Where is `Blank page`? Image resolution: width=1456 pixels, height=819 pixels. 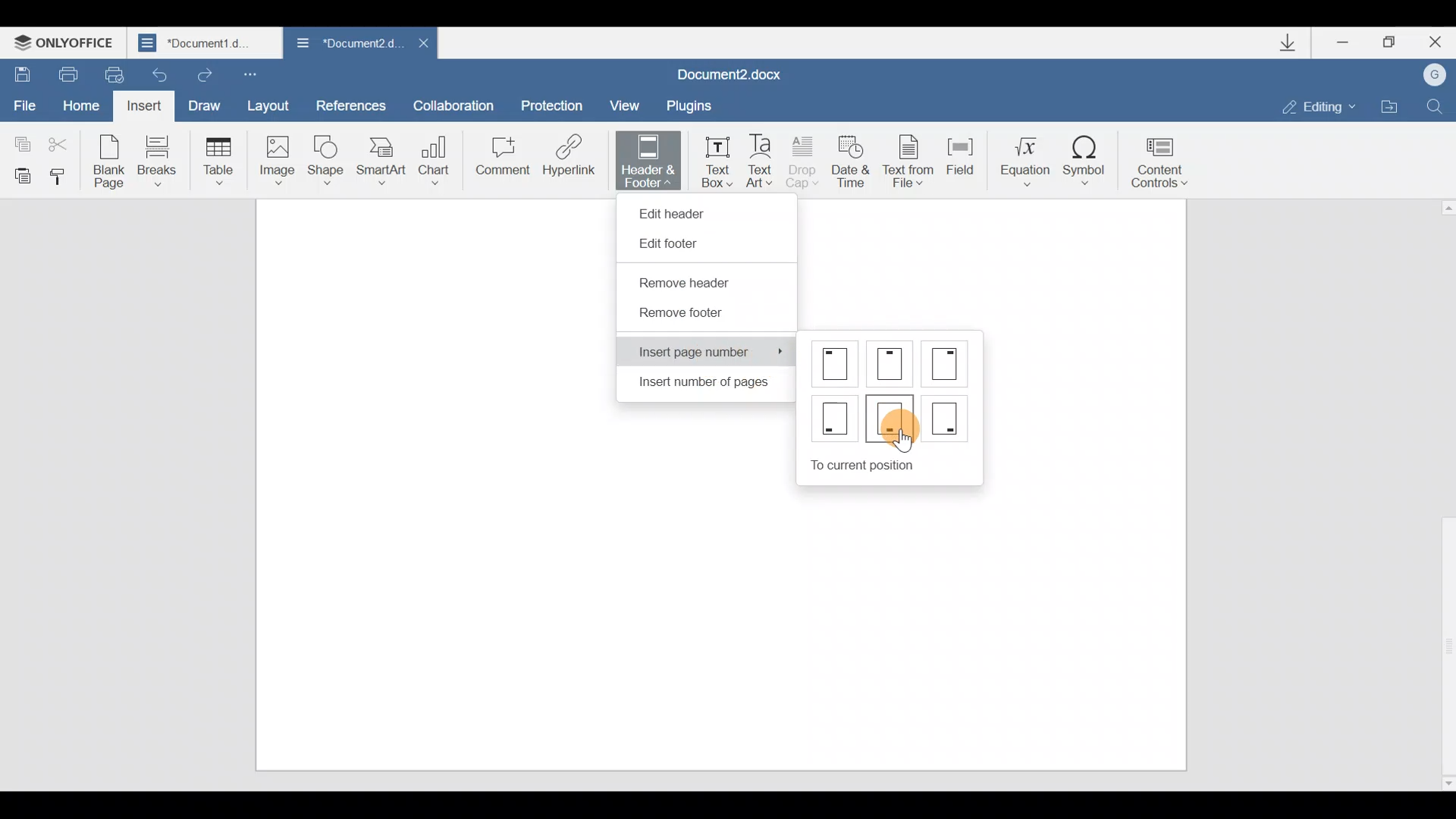 Blank page is located at coordinates (111, 160).